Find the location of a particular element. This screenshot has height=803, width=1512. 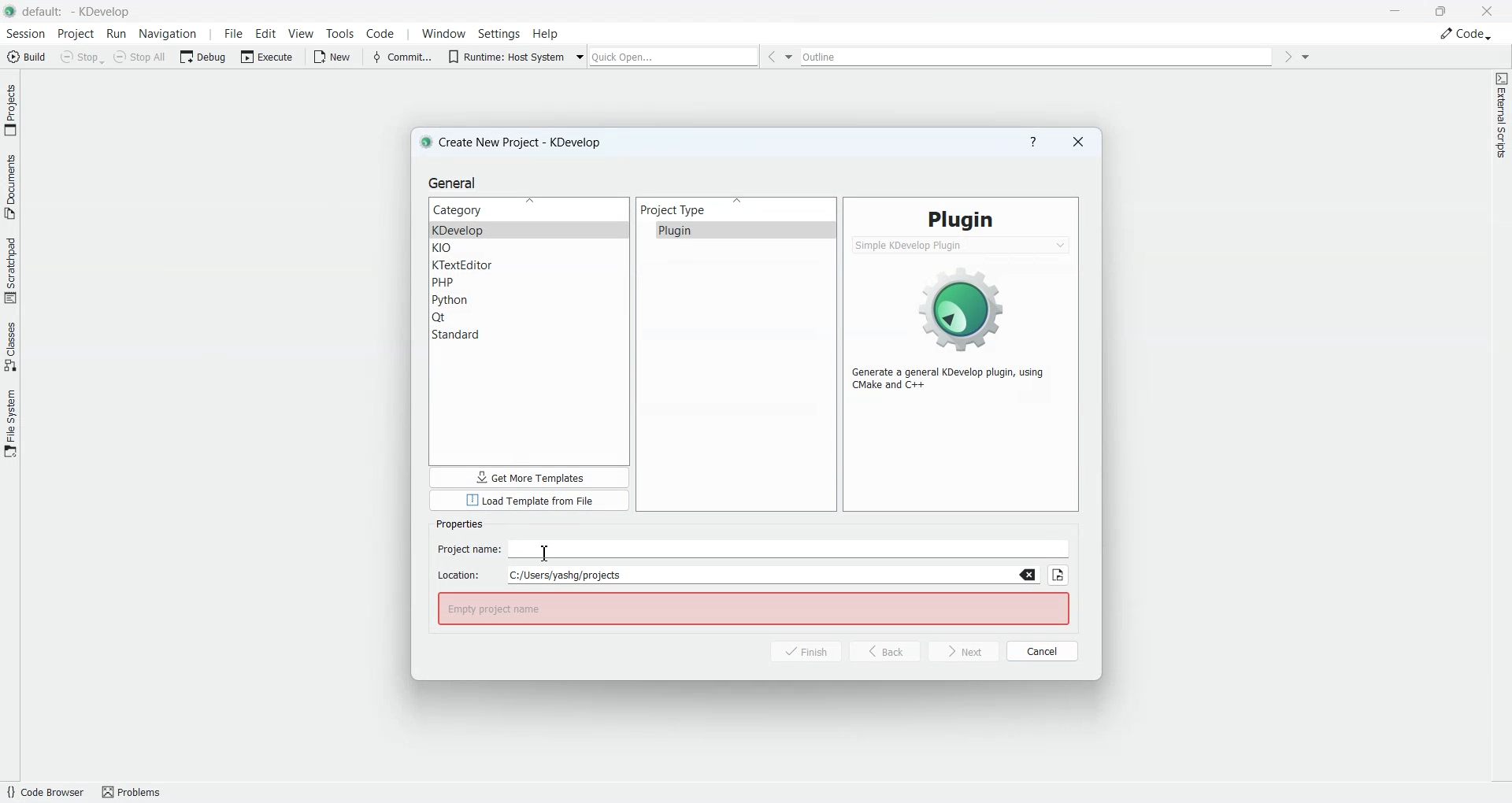

Close is located at coordinates (1078, 142).